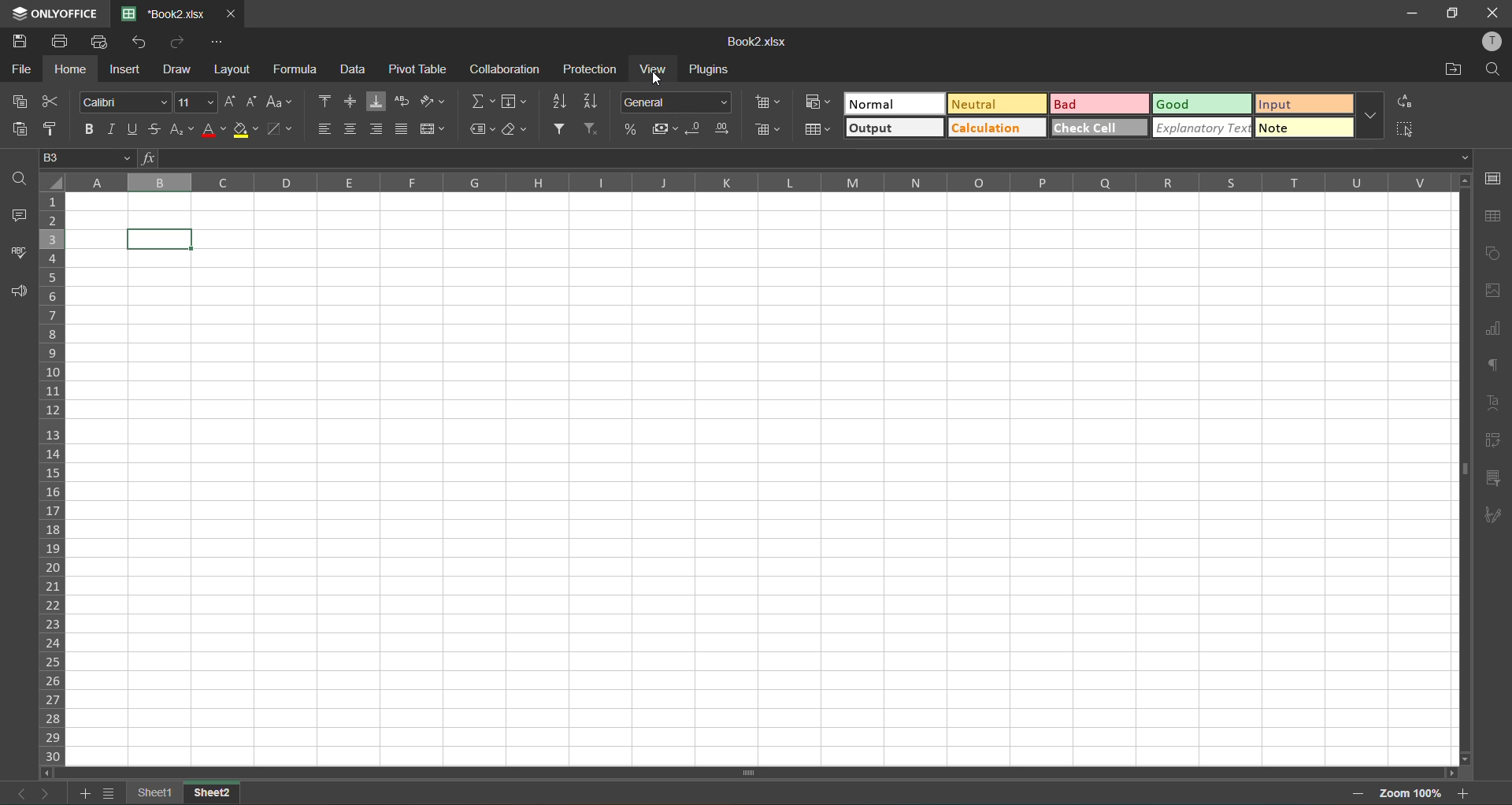 The height and width of the screenshot is (805, 1512). What do you see at coordinates (1492, 41) in the screenshot?
I see `profile` at bounding box center [1492, 41].